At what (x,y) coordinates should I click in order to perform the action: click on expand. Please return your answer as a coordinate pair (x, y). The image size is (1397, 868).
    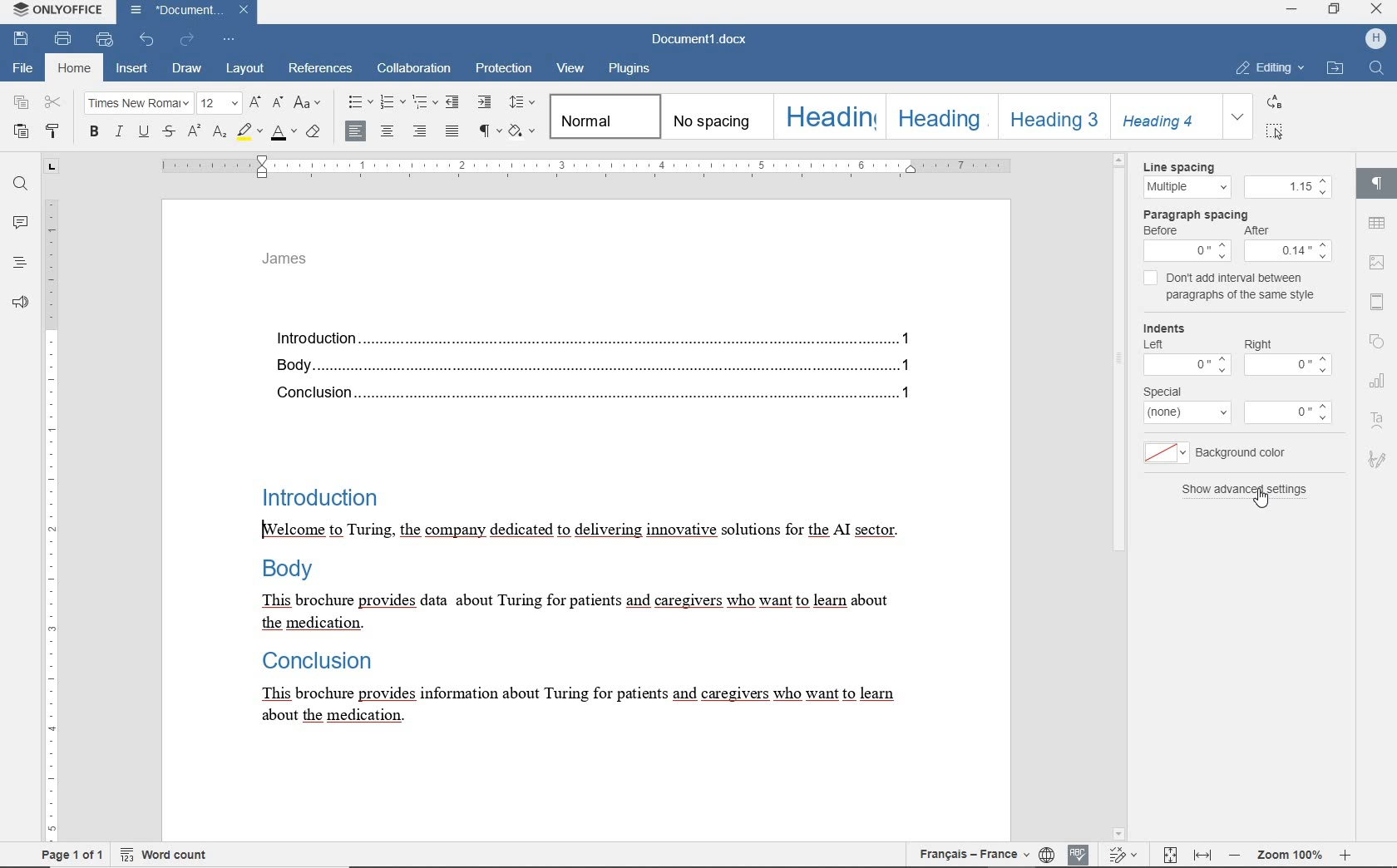
    Looking at the image, I should click on (1237, 118).